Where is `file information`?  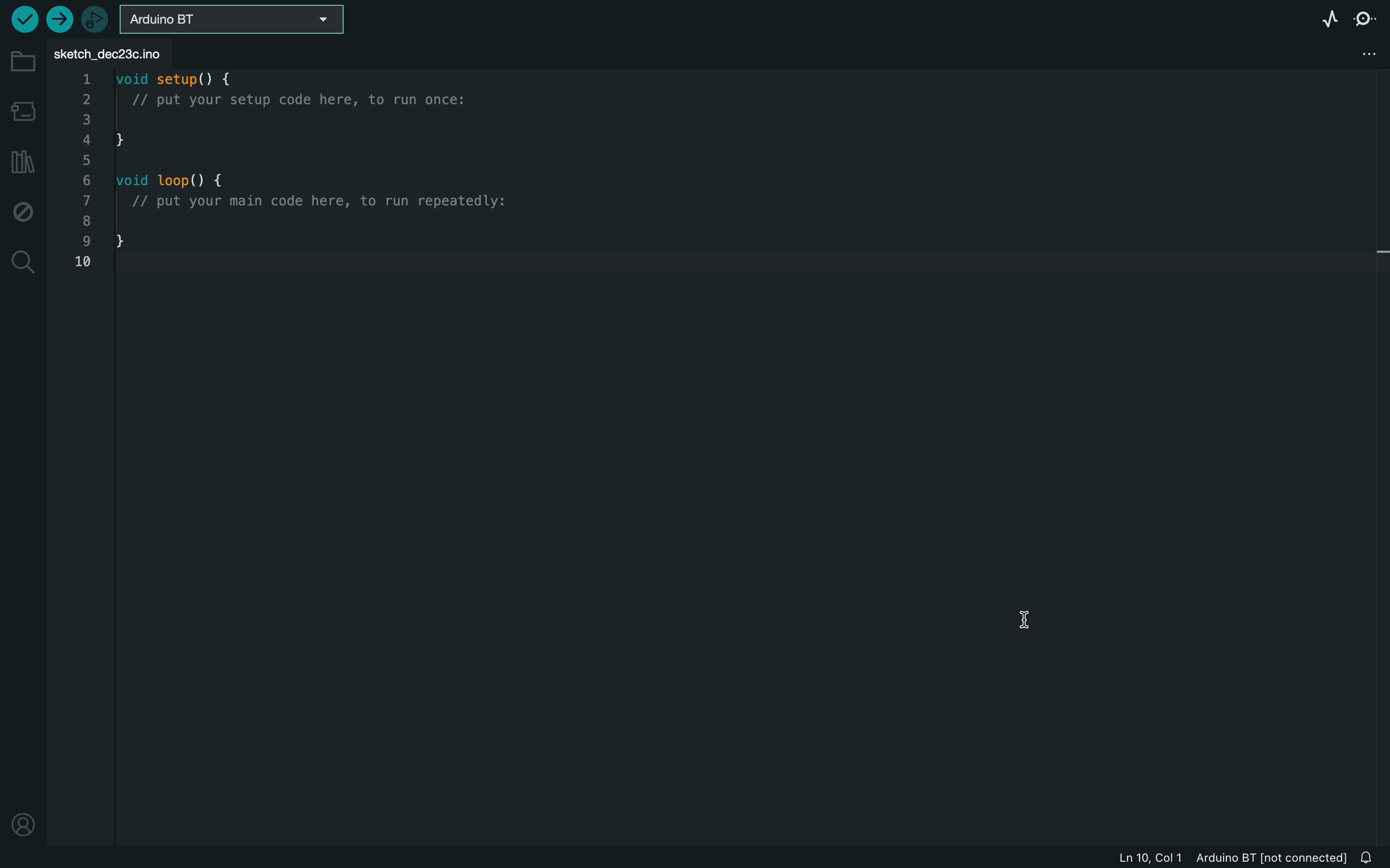
file information is located at coordinates (1232, 858).